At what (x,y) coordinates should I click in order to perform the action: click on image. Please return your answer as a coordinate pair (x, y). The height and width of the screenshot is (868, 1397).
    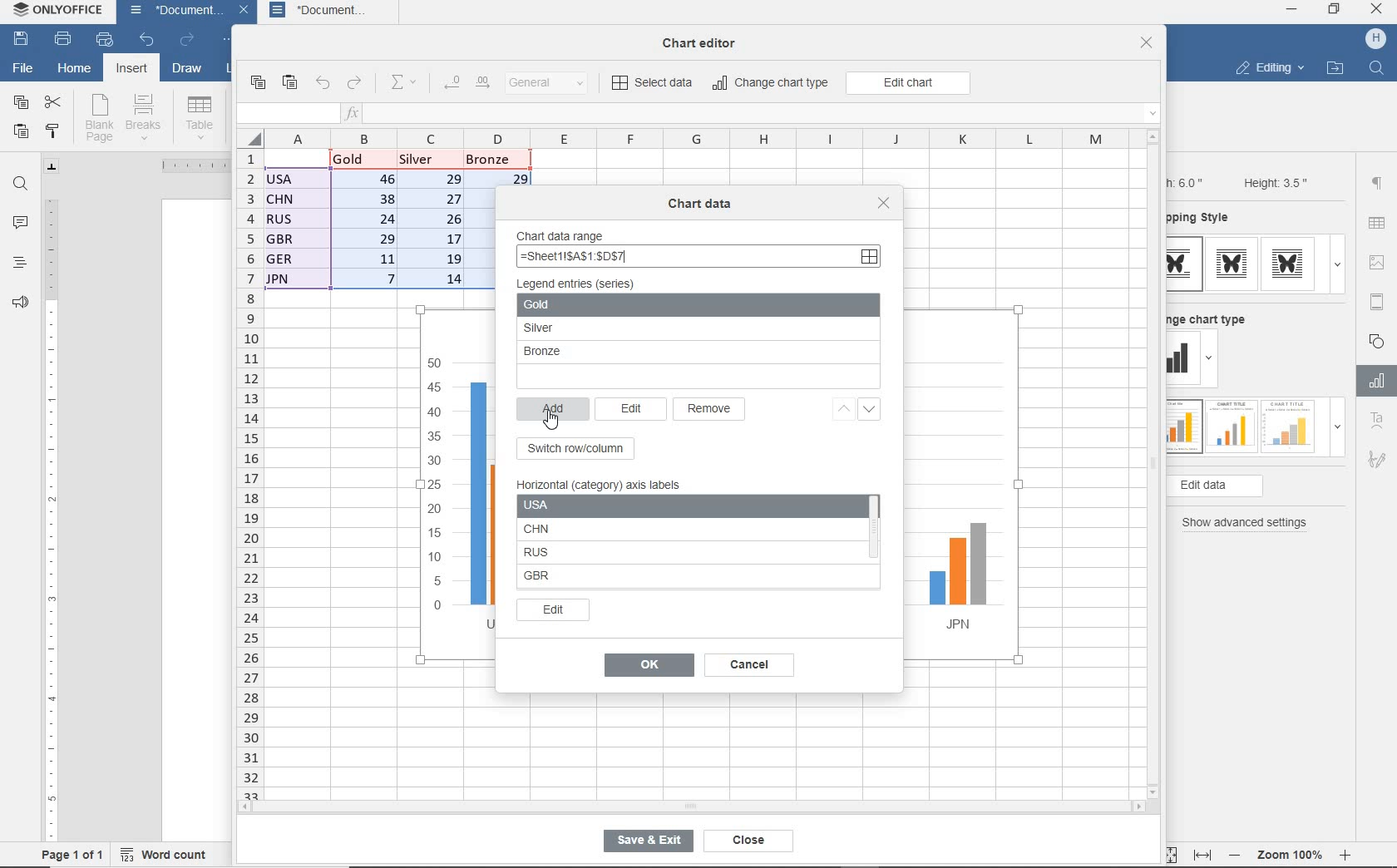
    Looking at the image, I should click on (1377, 262).